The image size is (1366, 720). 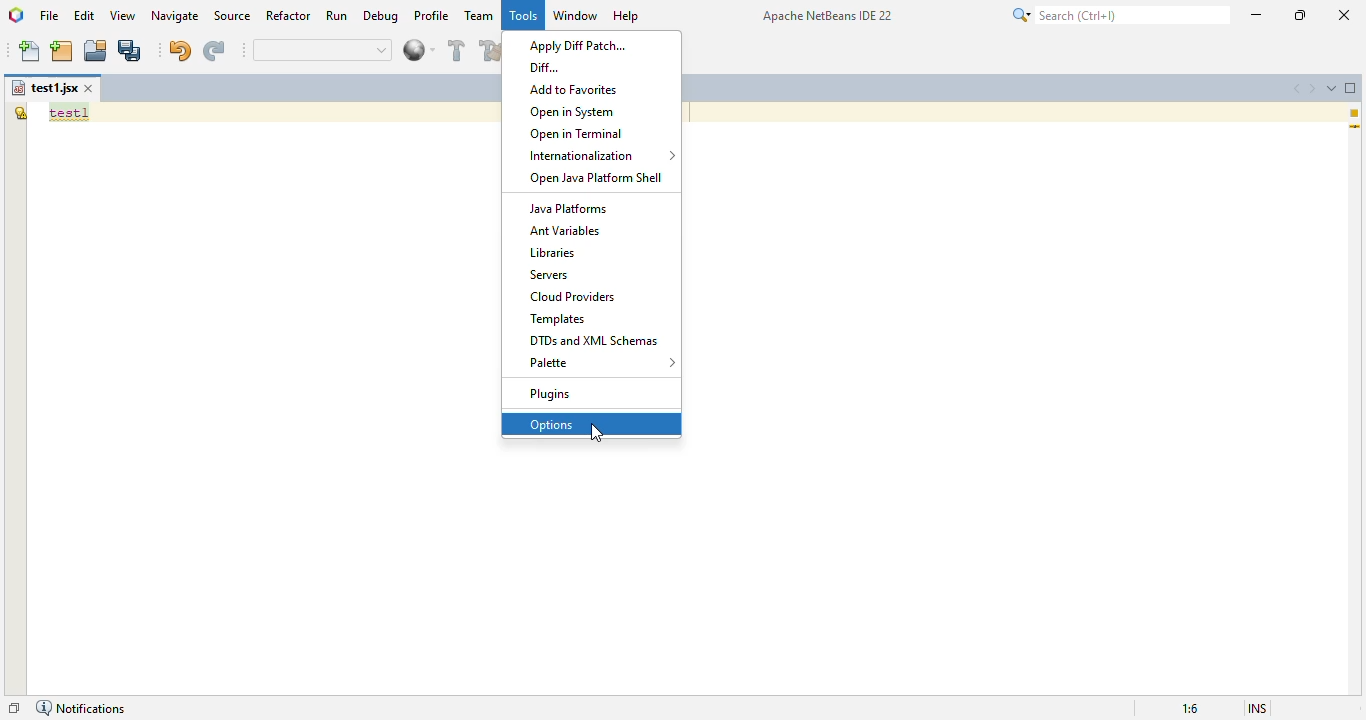 I want to click on scroll documents right, so click(x=1313, y=88).